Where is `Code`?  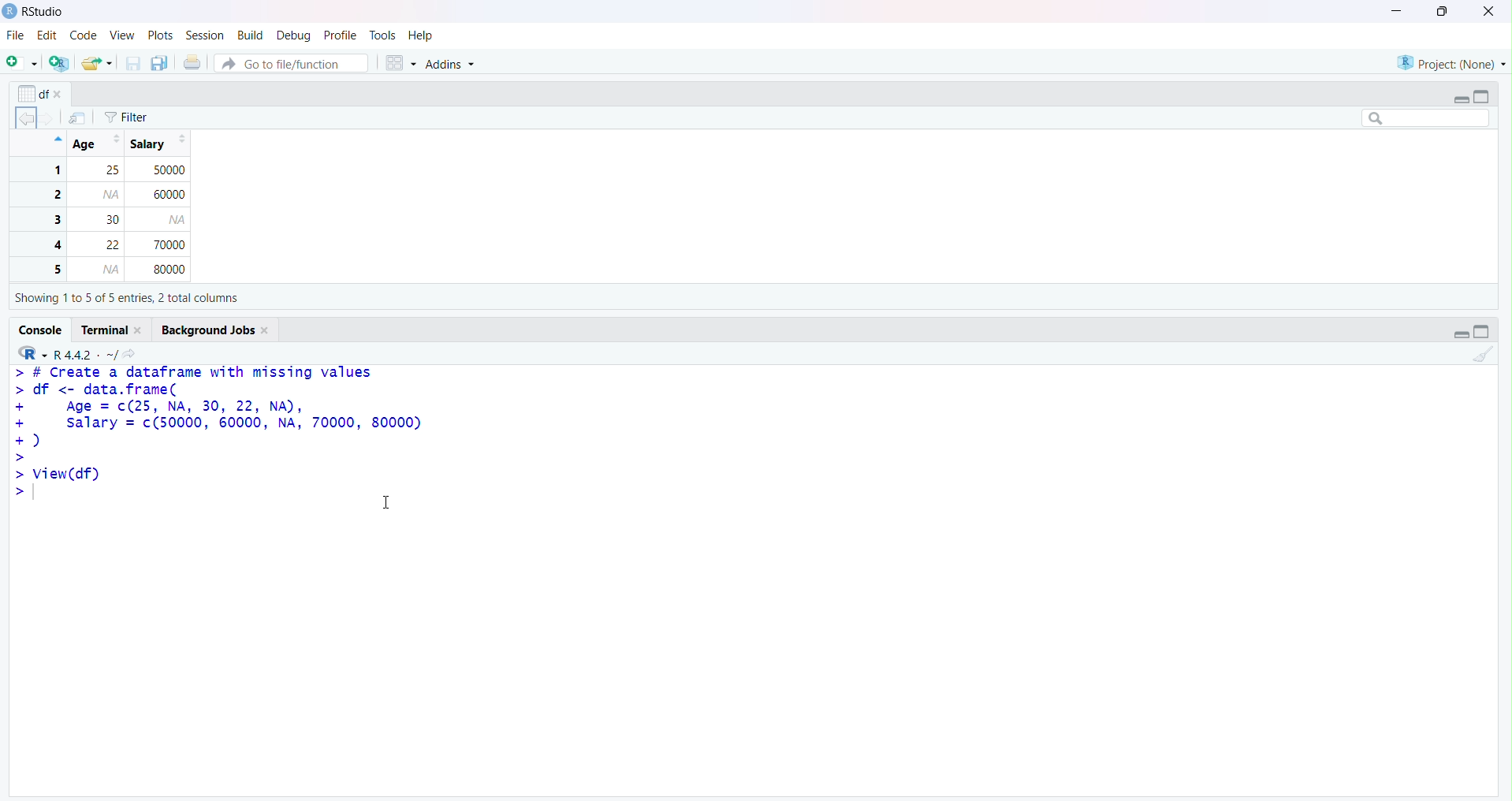
Code is located at coordinates (84, 36).